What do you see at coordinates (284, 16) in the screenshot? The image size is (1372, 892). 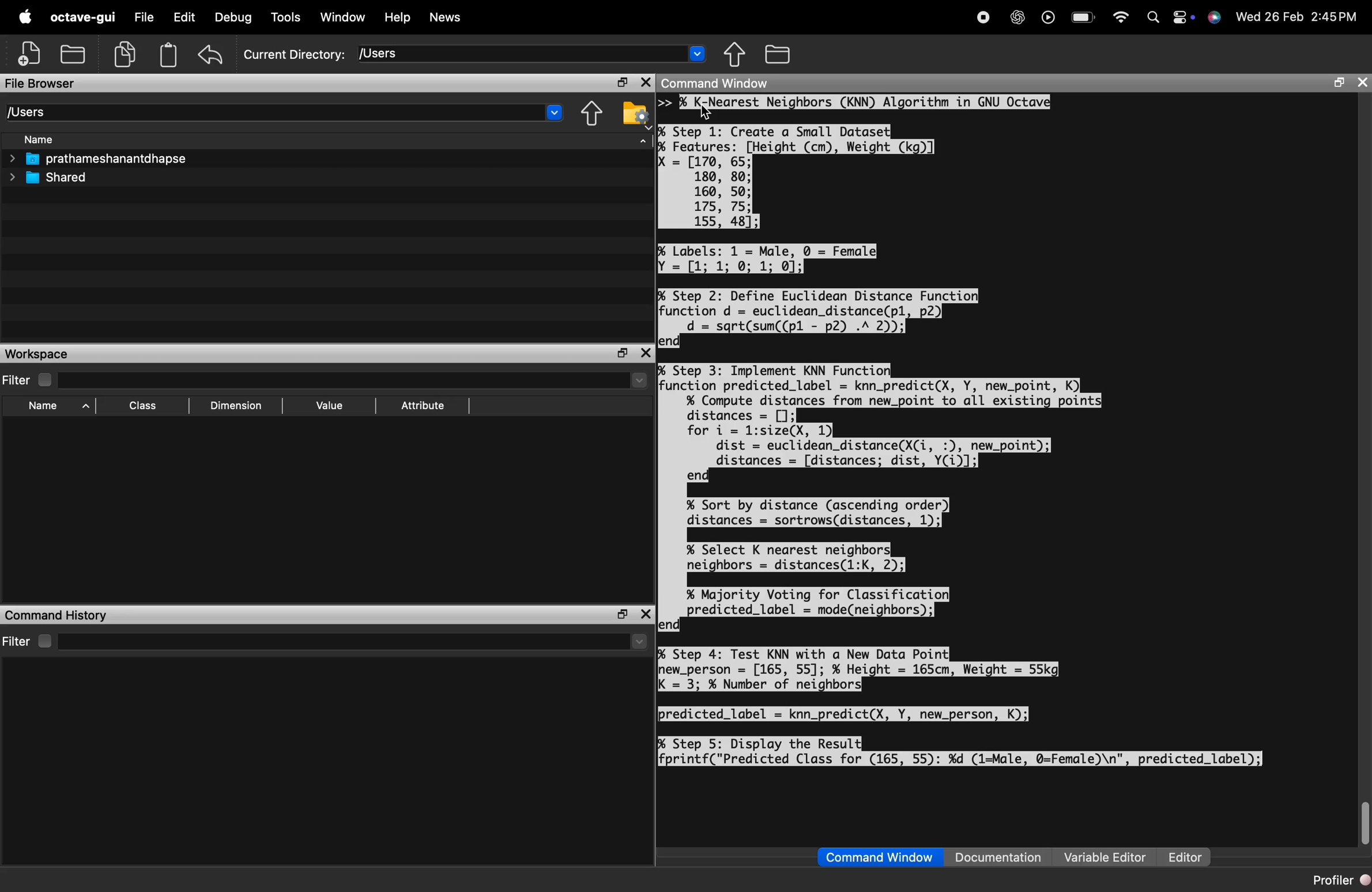 I see `Tools` at bounding box center [284, 16].